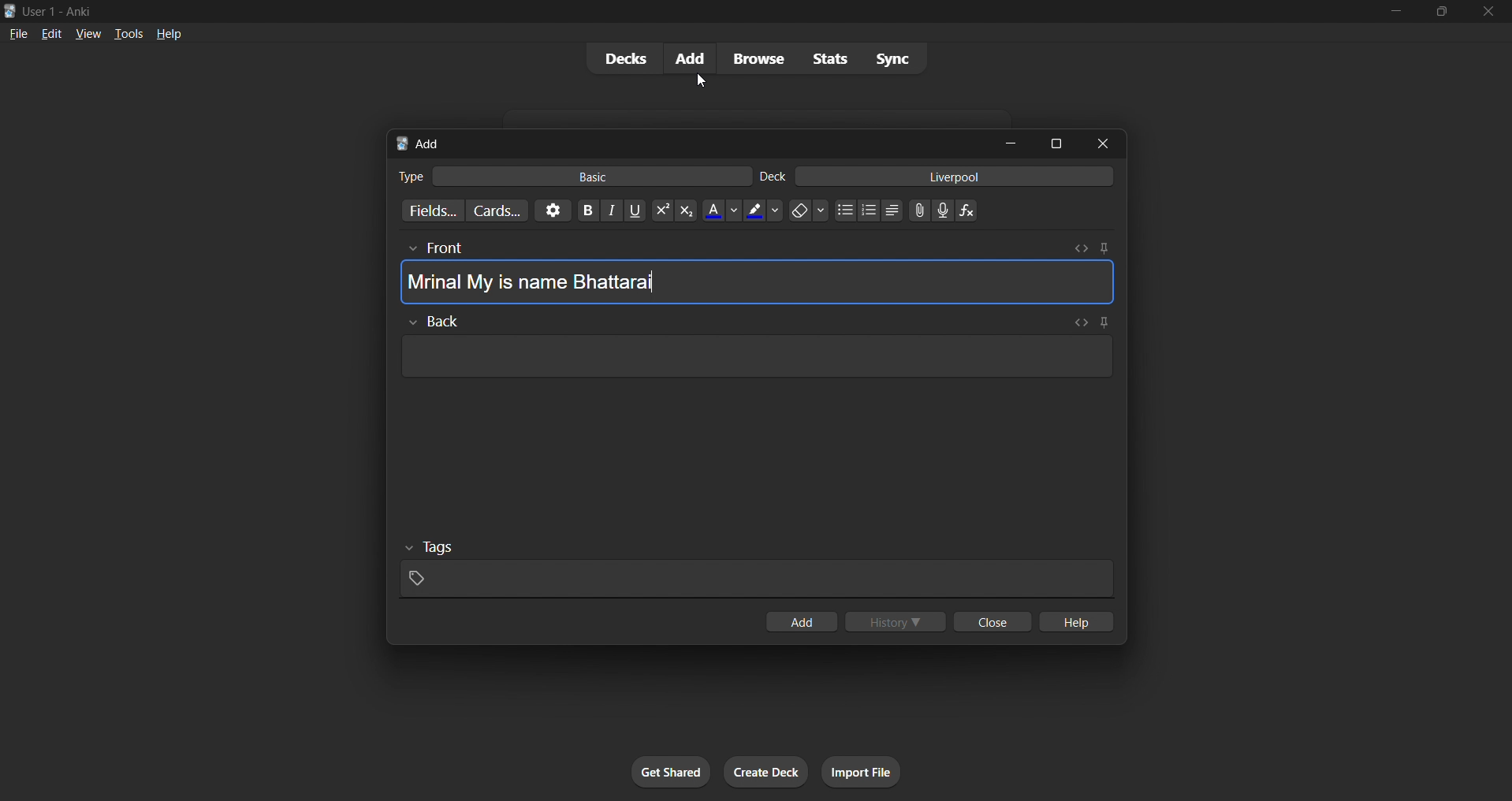  What do you see at coordinates (551, 210) in the screenshot?
I see `options` at bounding box center [551, 210].